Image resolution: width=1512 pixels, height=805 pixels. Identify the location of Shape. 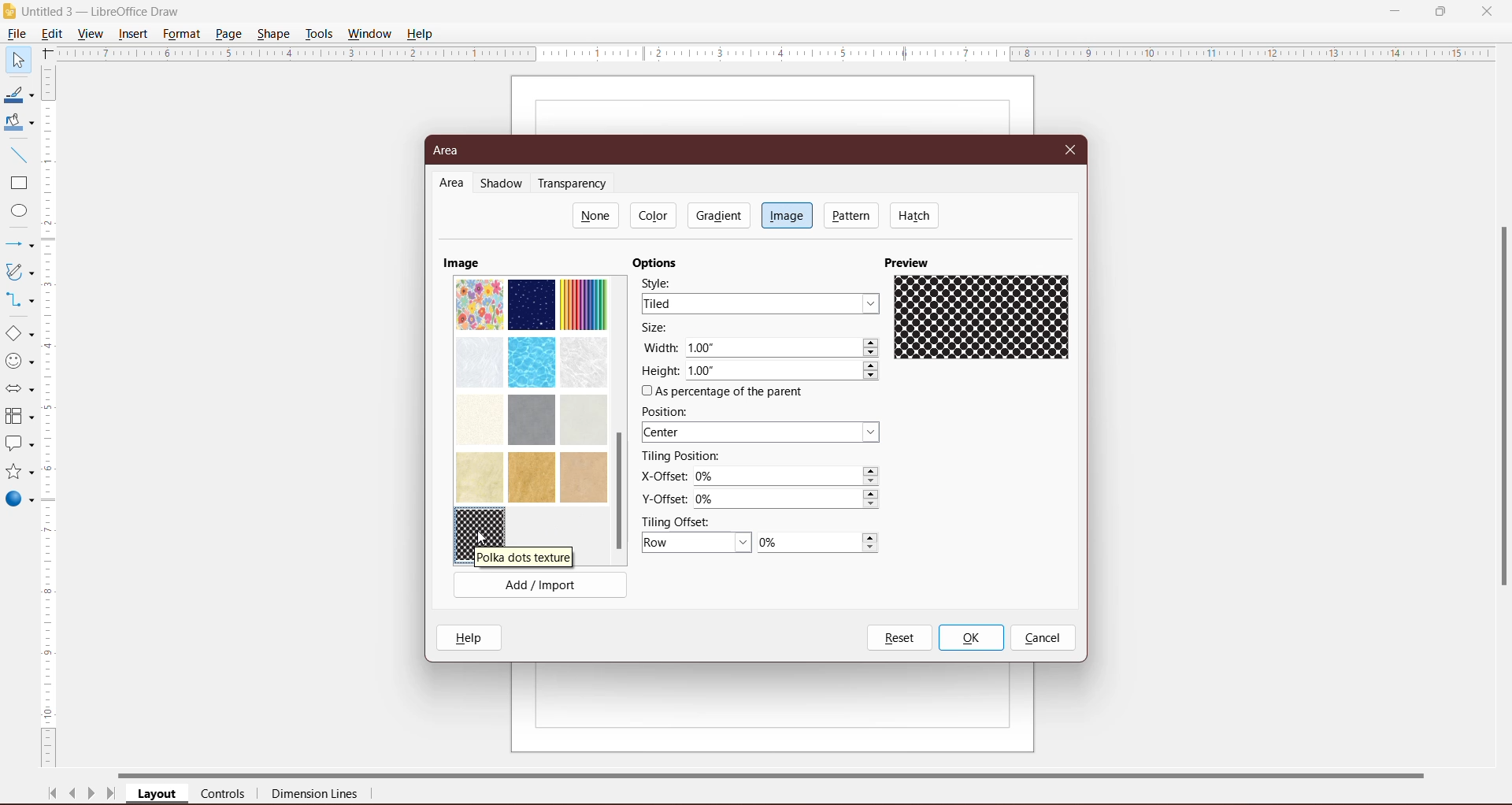
(275, 32).